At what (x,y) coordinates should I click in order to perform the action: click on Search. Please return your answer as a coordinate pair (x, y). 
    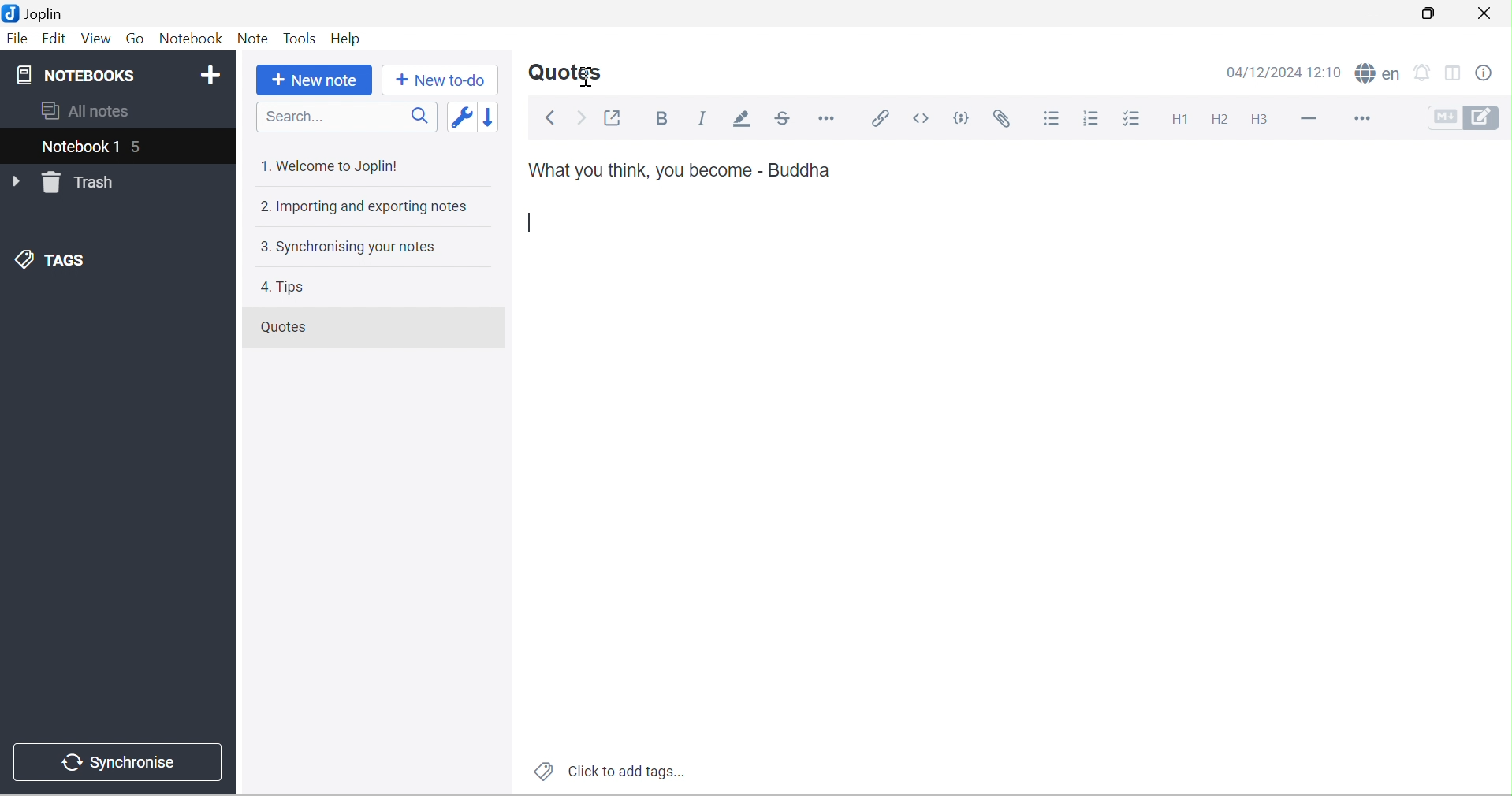
    Looking at the image, I should click on (348, 118).